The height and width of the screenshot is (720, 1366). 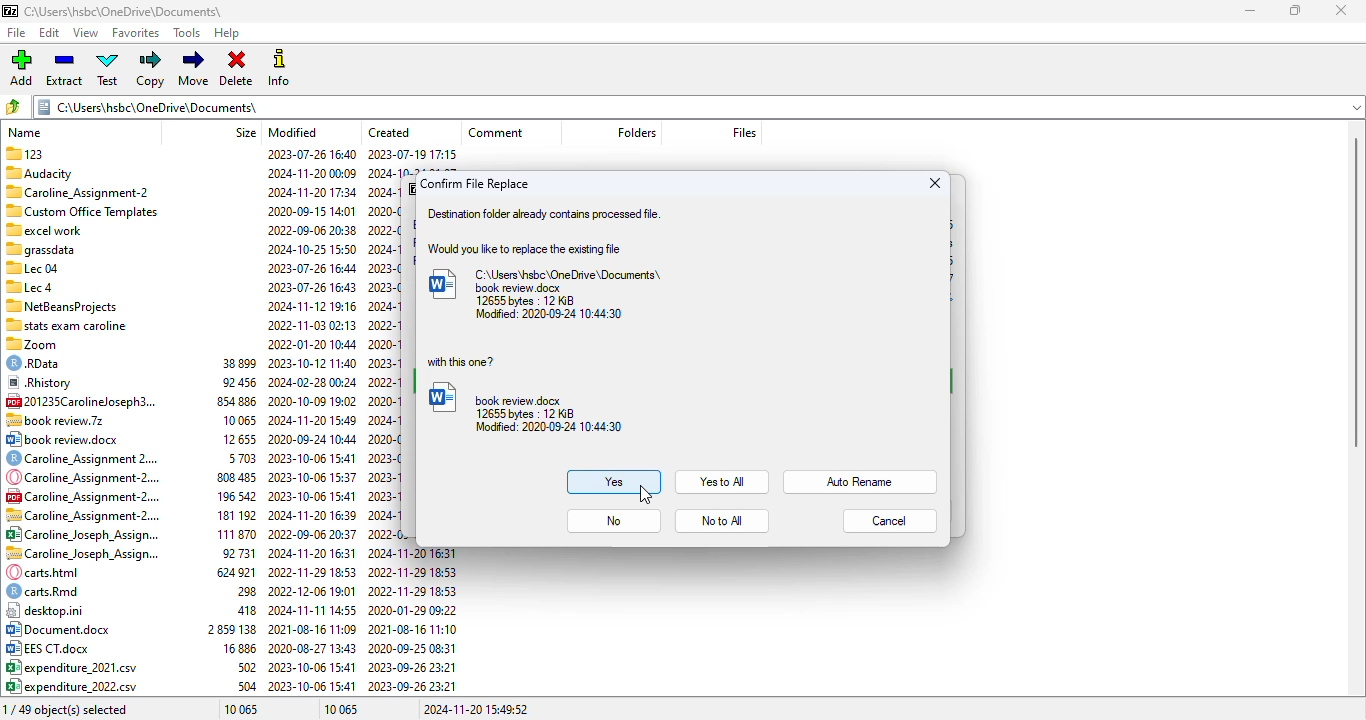 What do you see at coordinates (39, 248) in the screenshot?
I see `` at bounding box center [39, 248].